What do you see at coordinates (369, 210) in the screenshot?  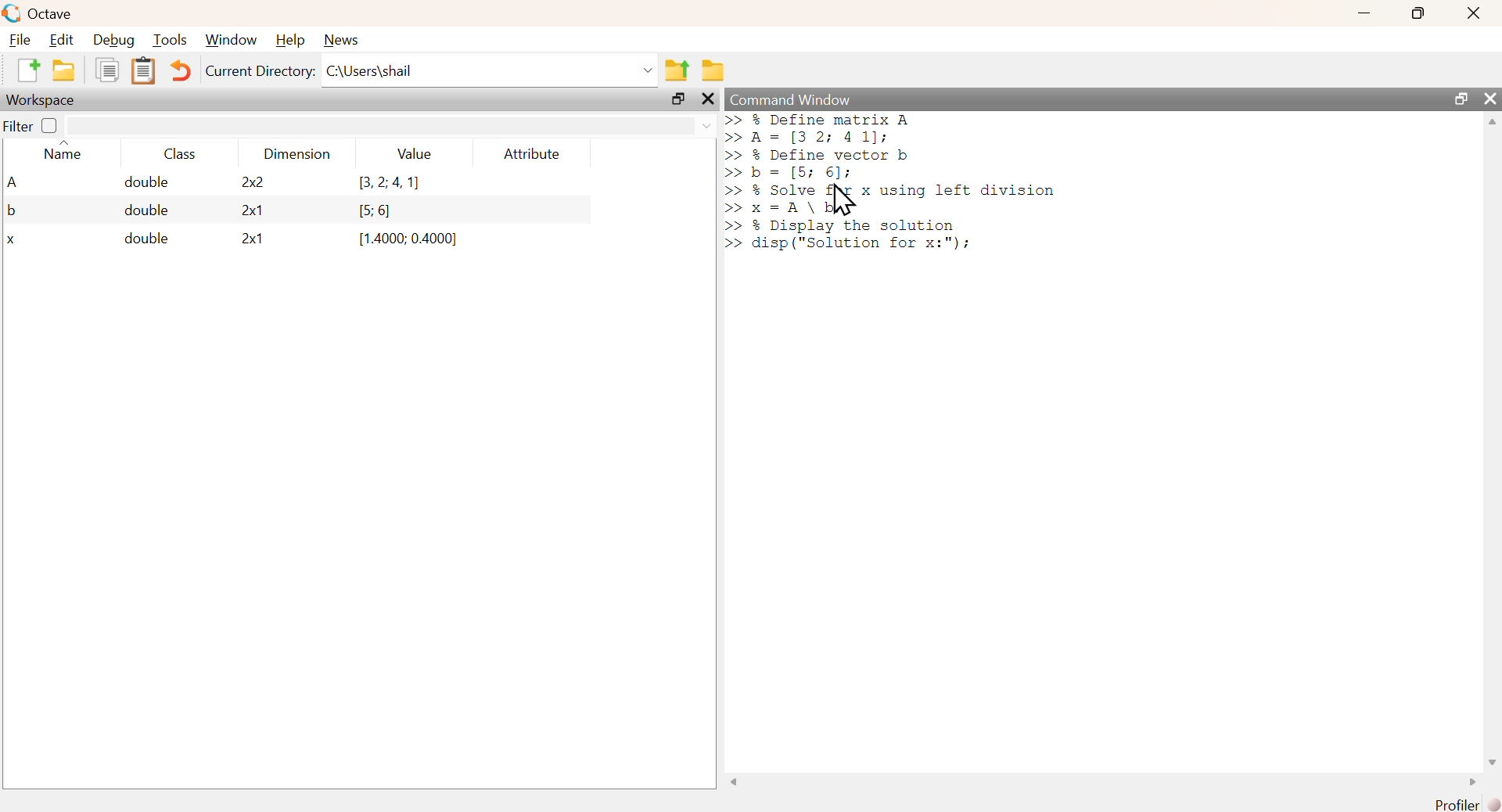 I see `[5: 6]` at bounding box center [369, 210].